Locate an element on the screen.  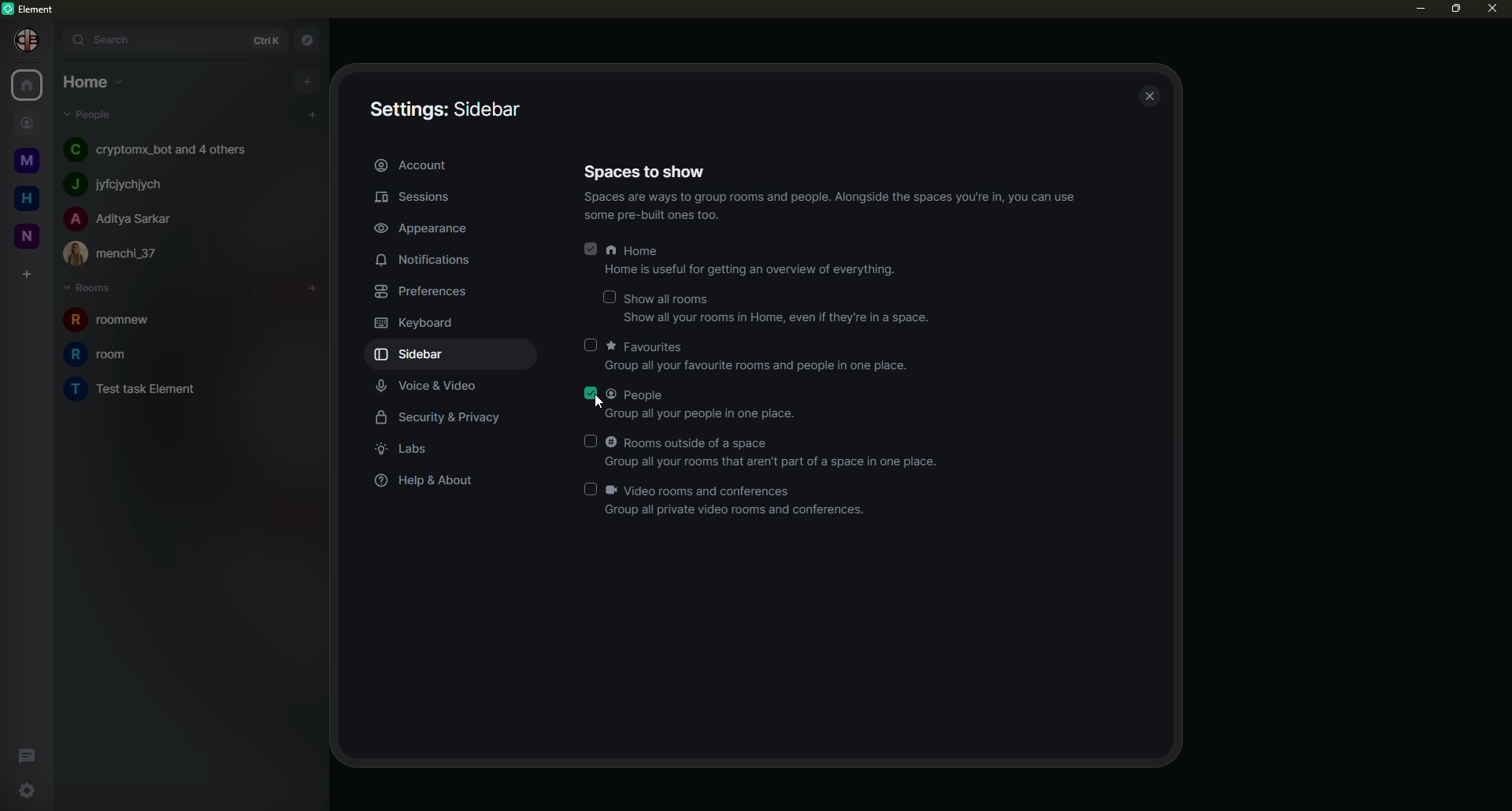
people is located at coordinates (706, 404).